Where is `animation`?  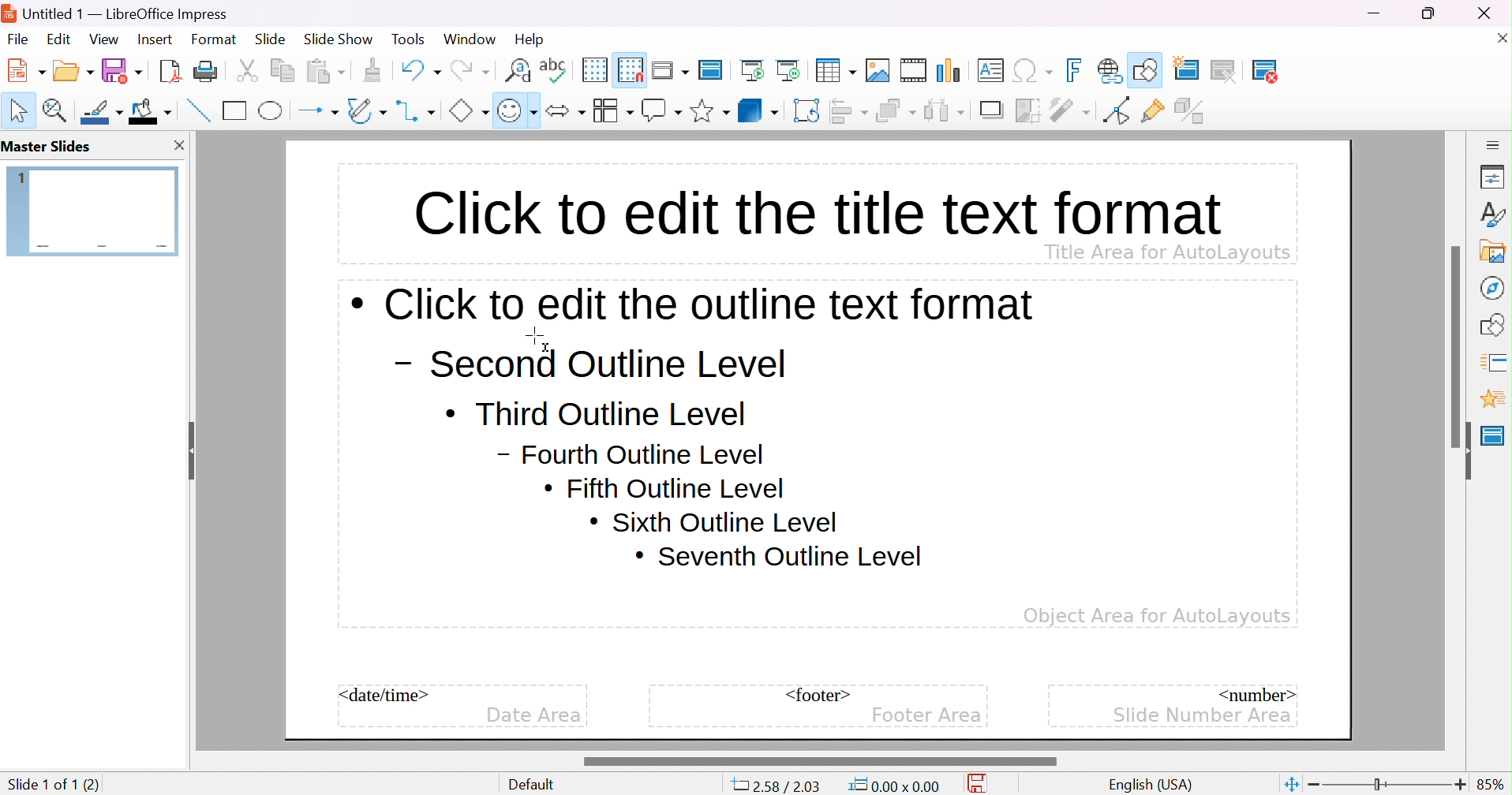 animation is located at coordinates (1492, 399).